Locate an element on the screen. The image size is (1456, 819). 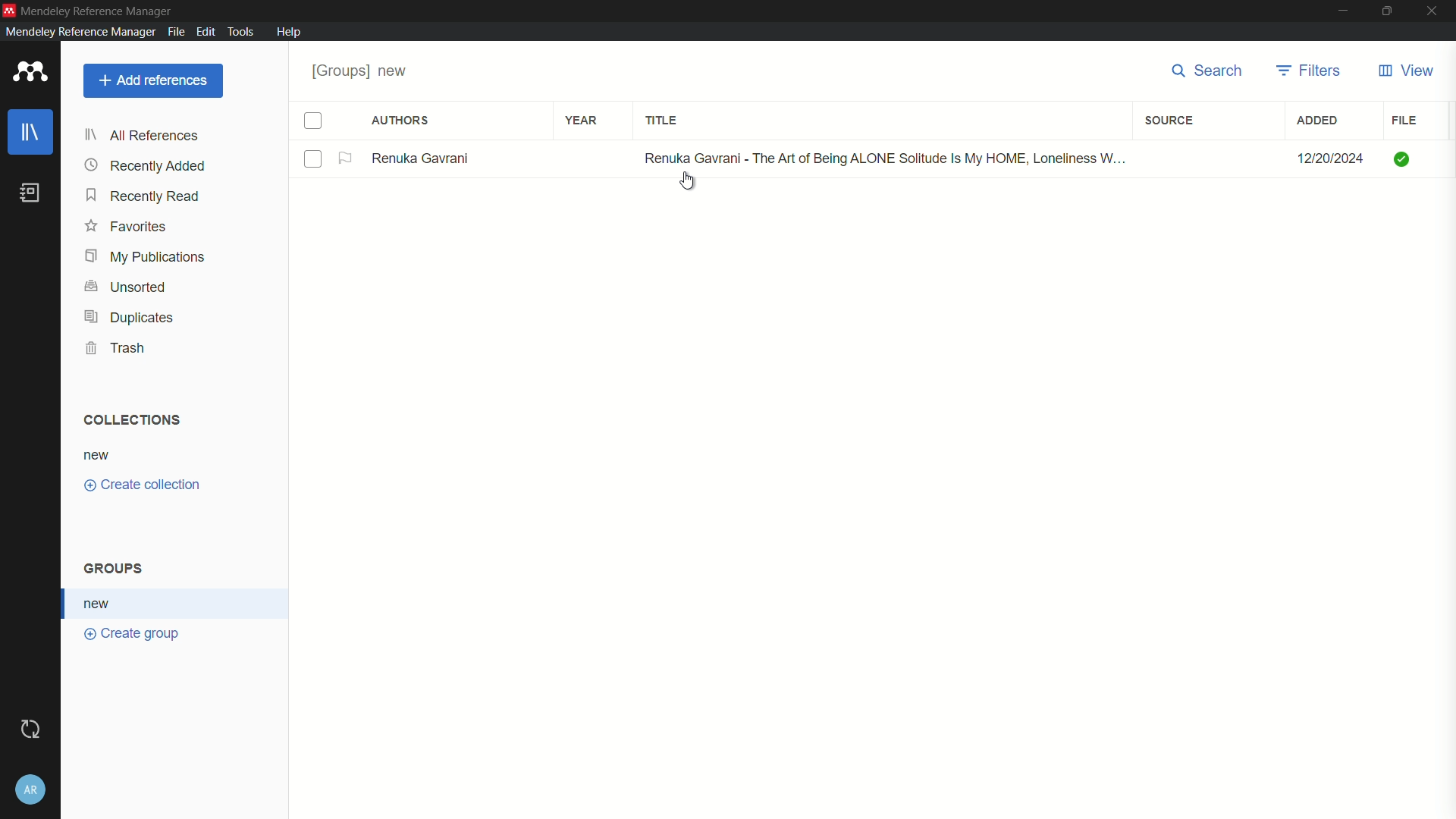
sync is located at coordinates (31, 728).